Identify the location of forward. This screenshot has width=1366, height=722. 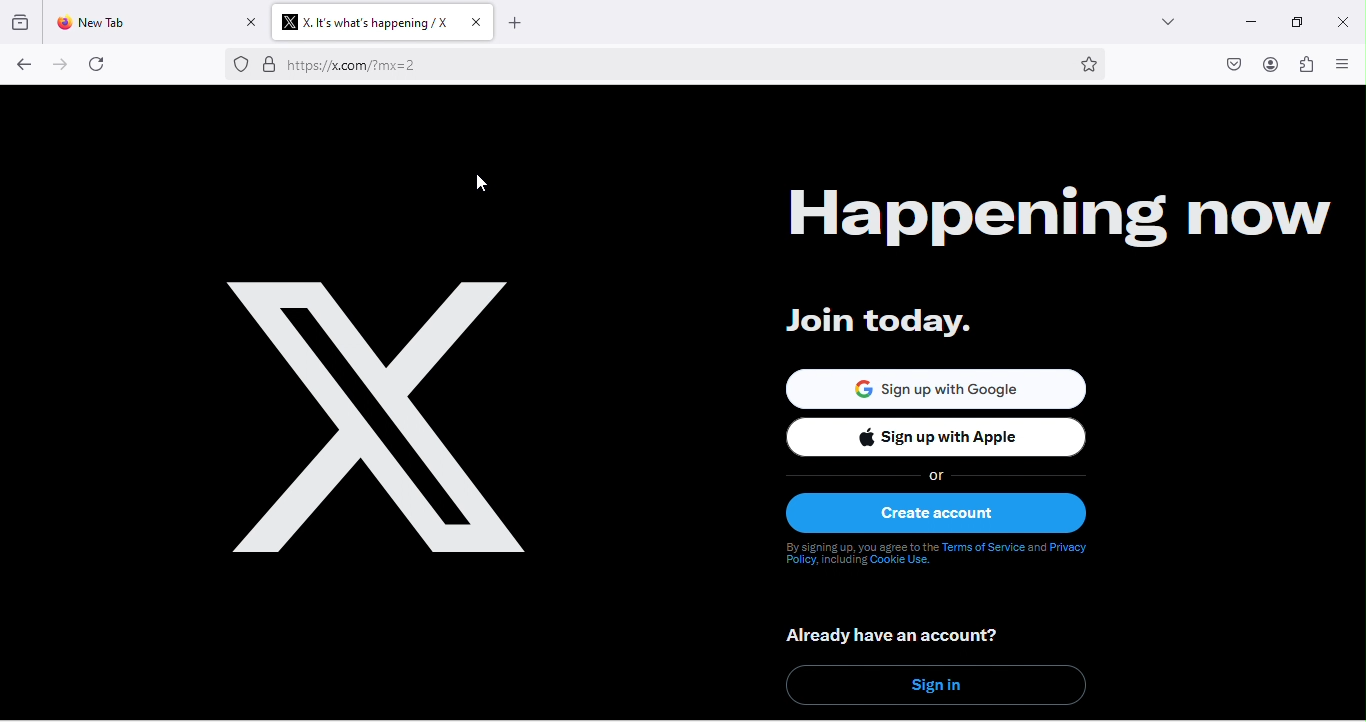
(57, 66).